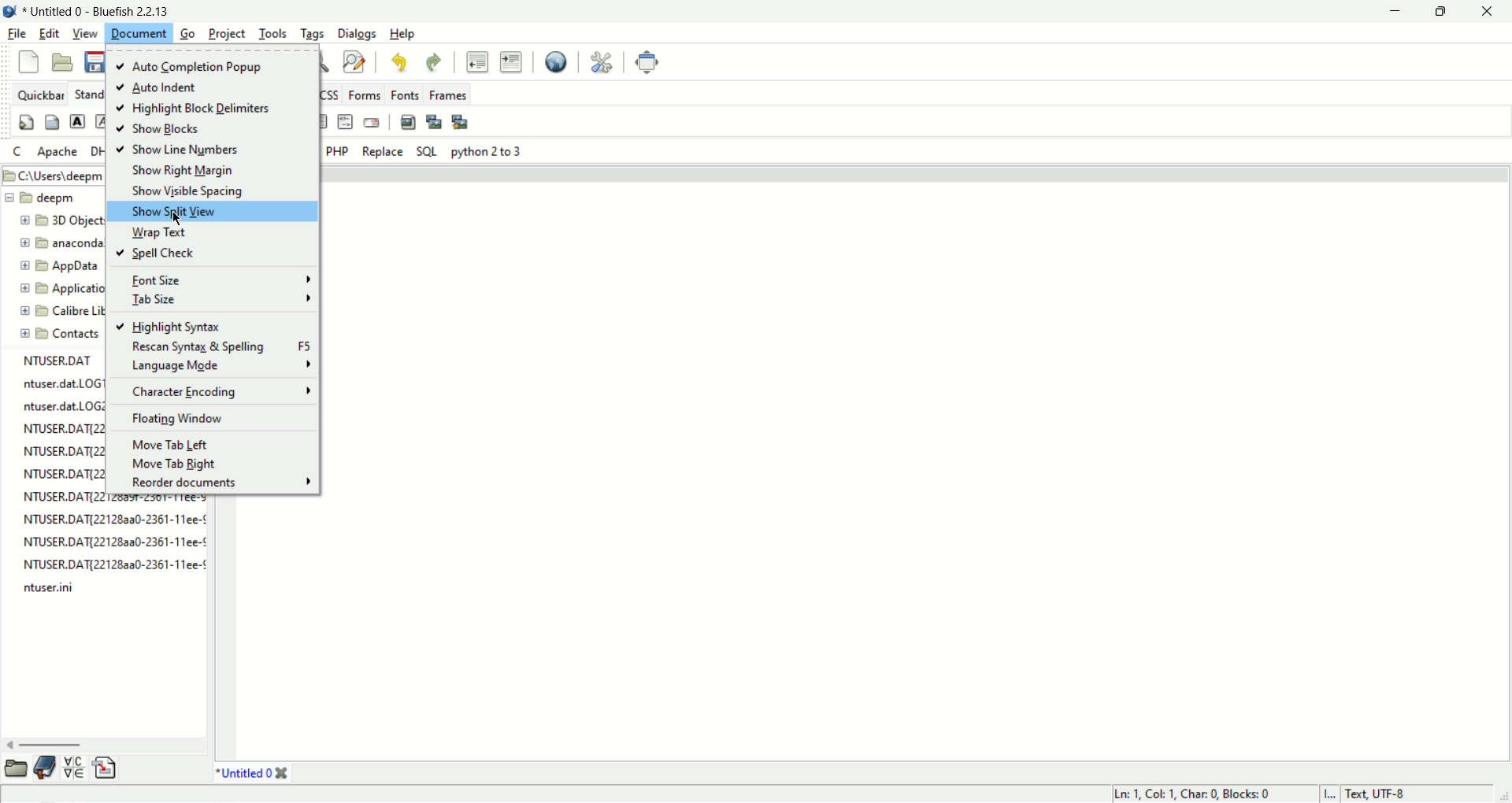 The width and height of the screenshot is (1512, 803). I want to click on Untitled, so click(243, 773).